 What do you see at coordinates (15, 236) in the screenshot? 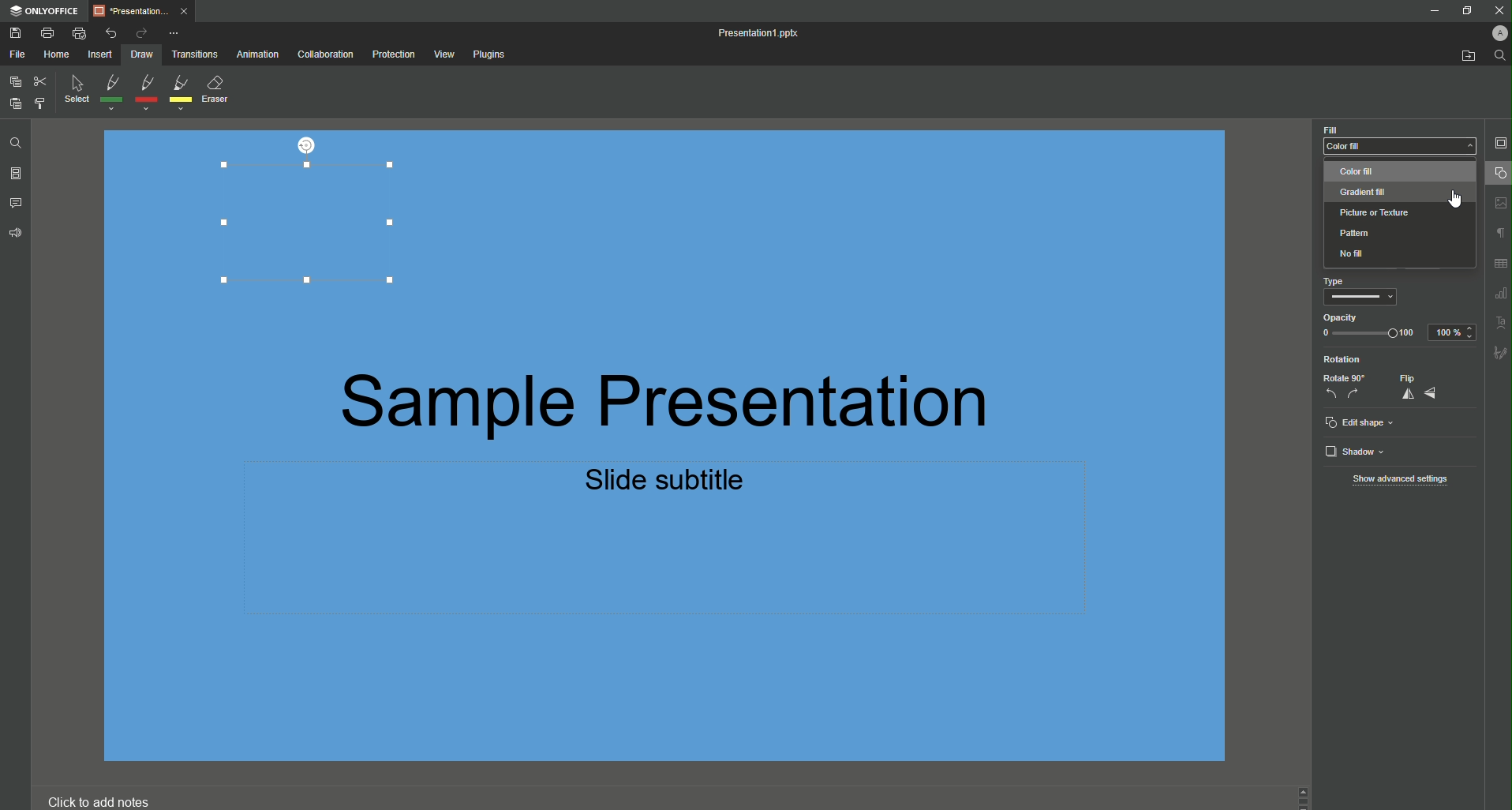
I see `Feedback` at bounding box center [15, 236].